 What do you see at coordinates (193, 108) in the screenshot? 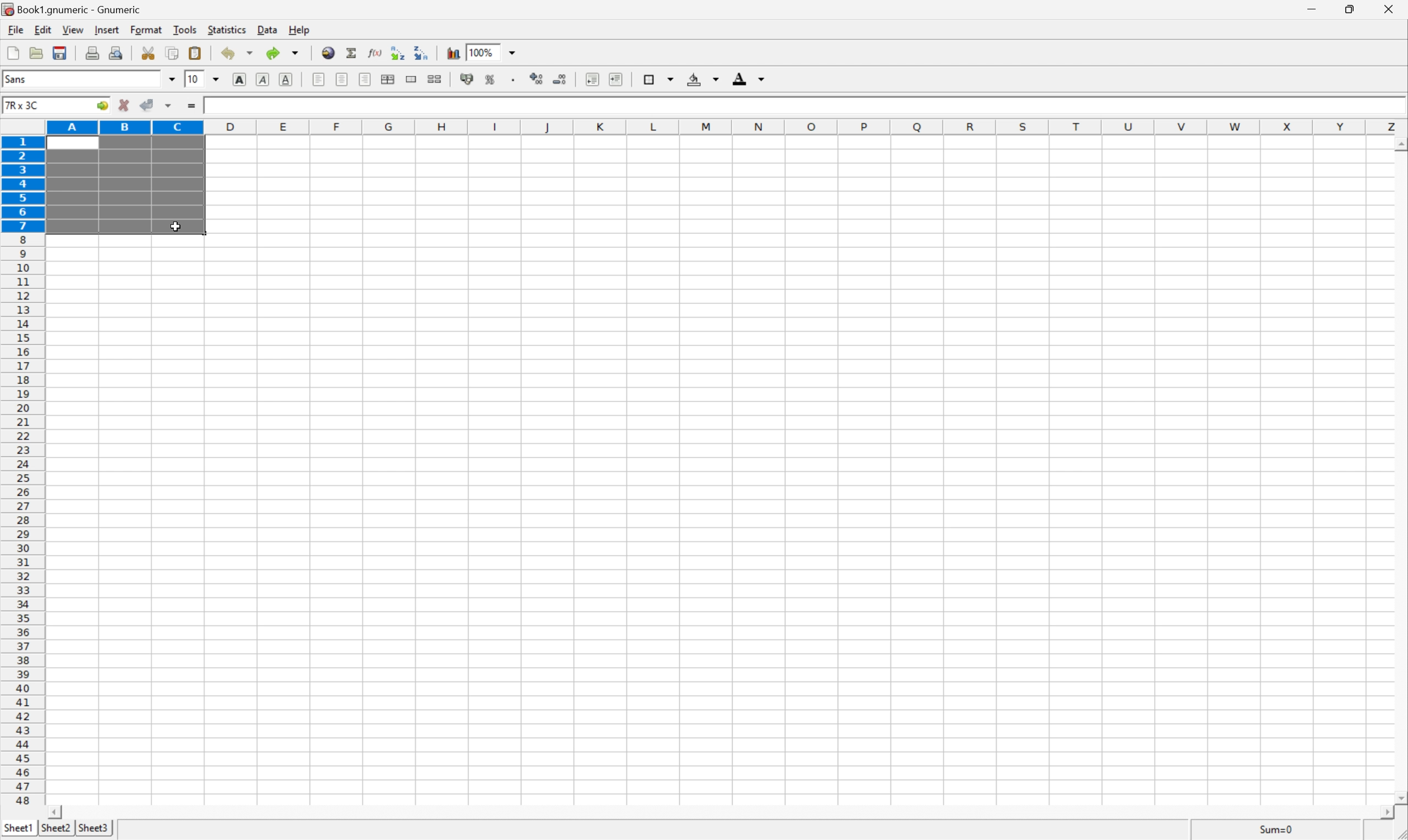
I see `enter formula` at bounding box center [193, 108].